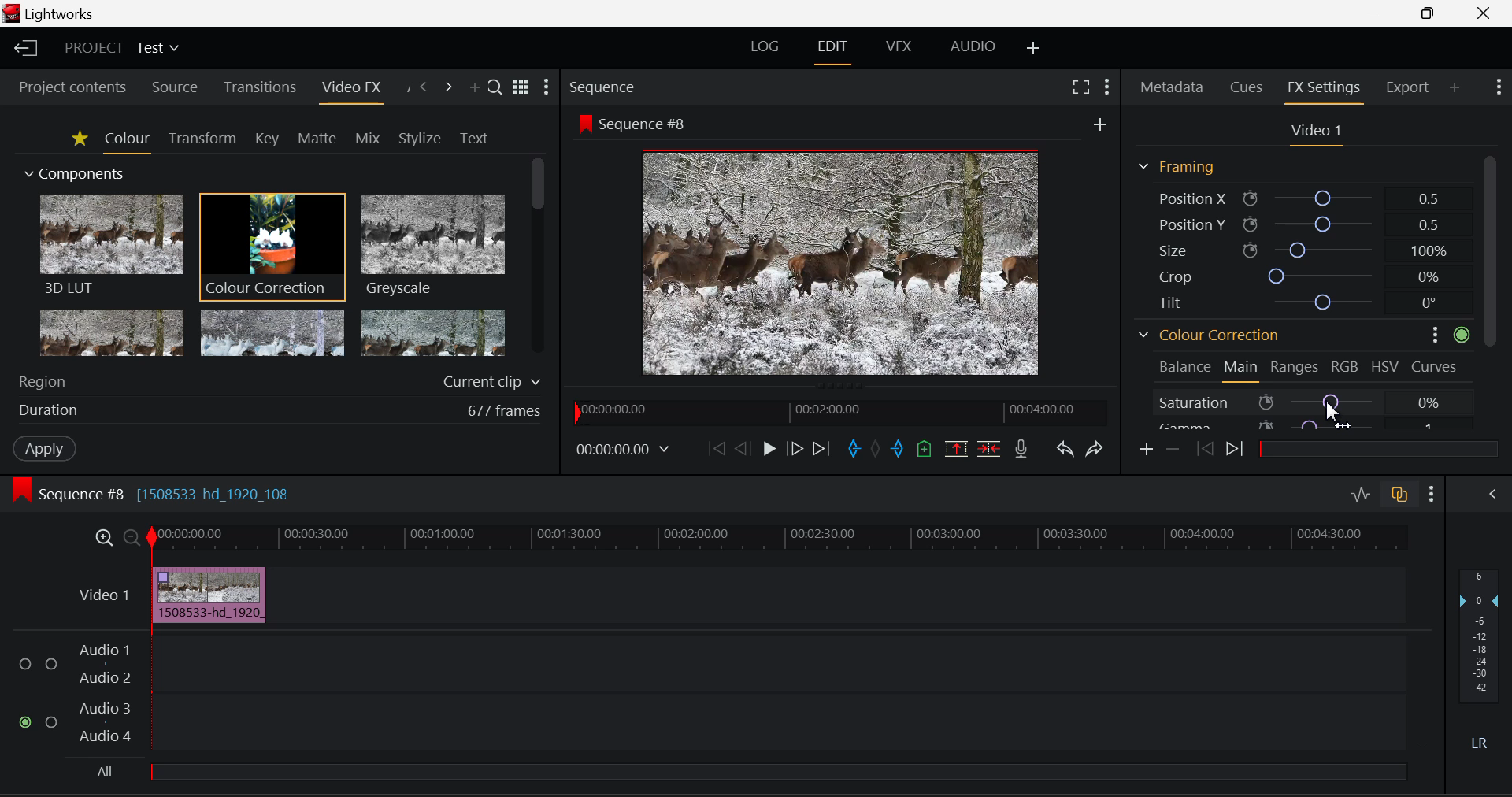  Describe the element at coordinates (104, 651) in the screenshot. I see `Audio 1` at that location.